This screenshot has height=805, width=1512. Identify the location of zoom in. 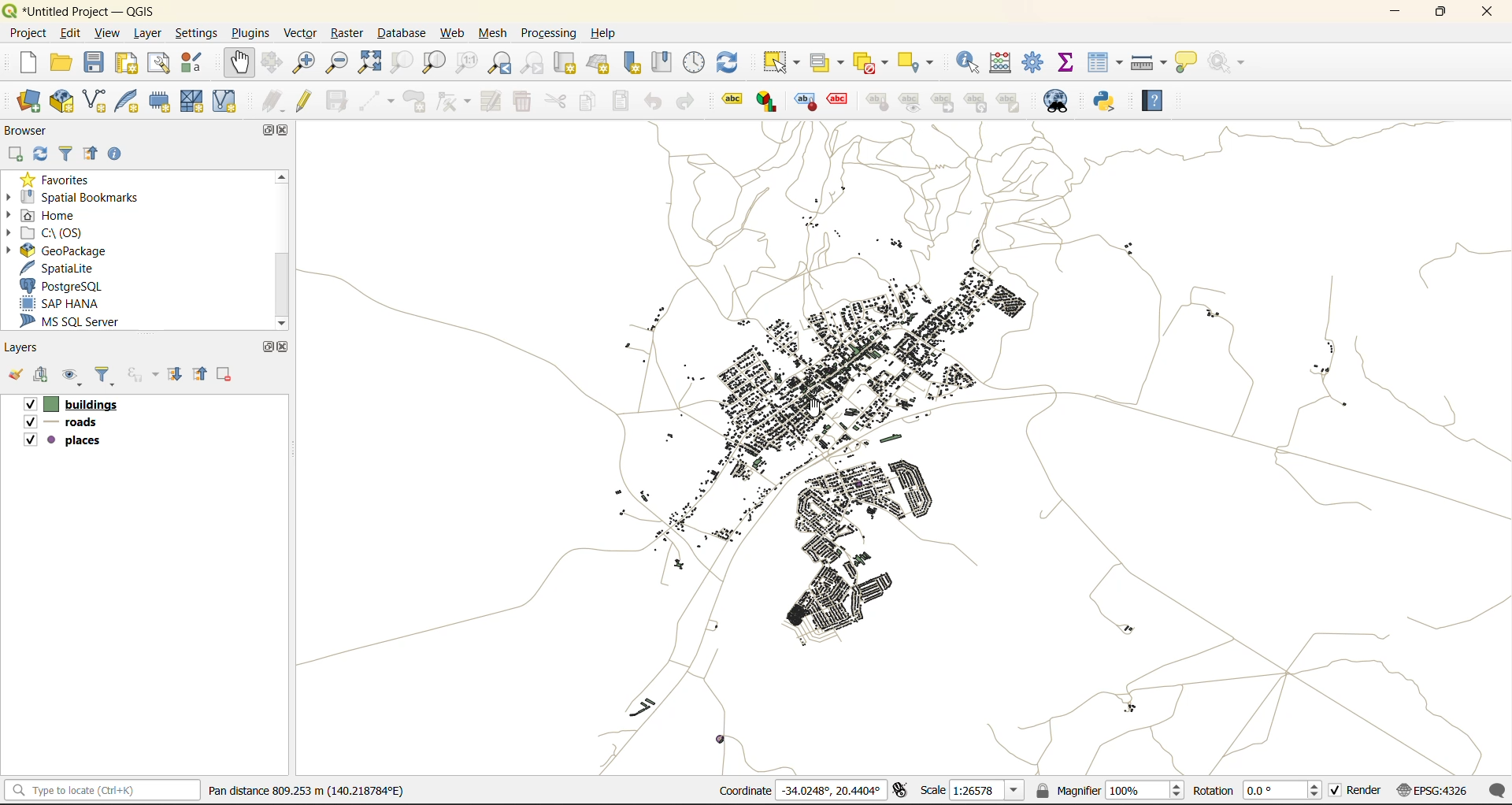
(308, 63).